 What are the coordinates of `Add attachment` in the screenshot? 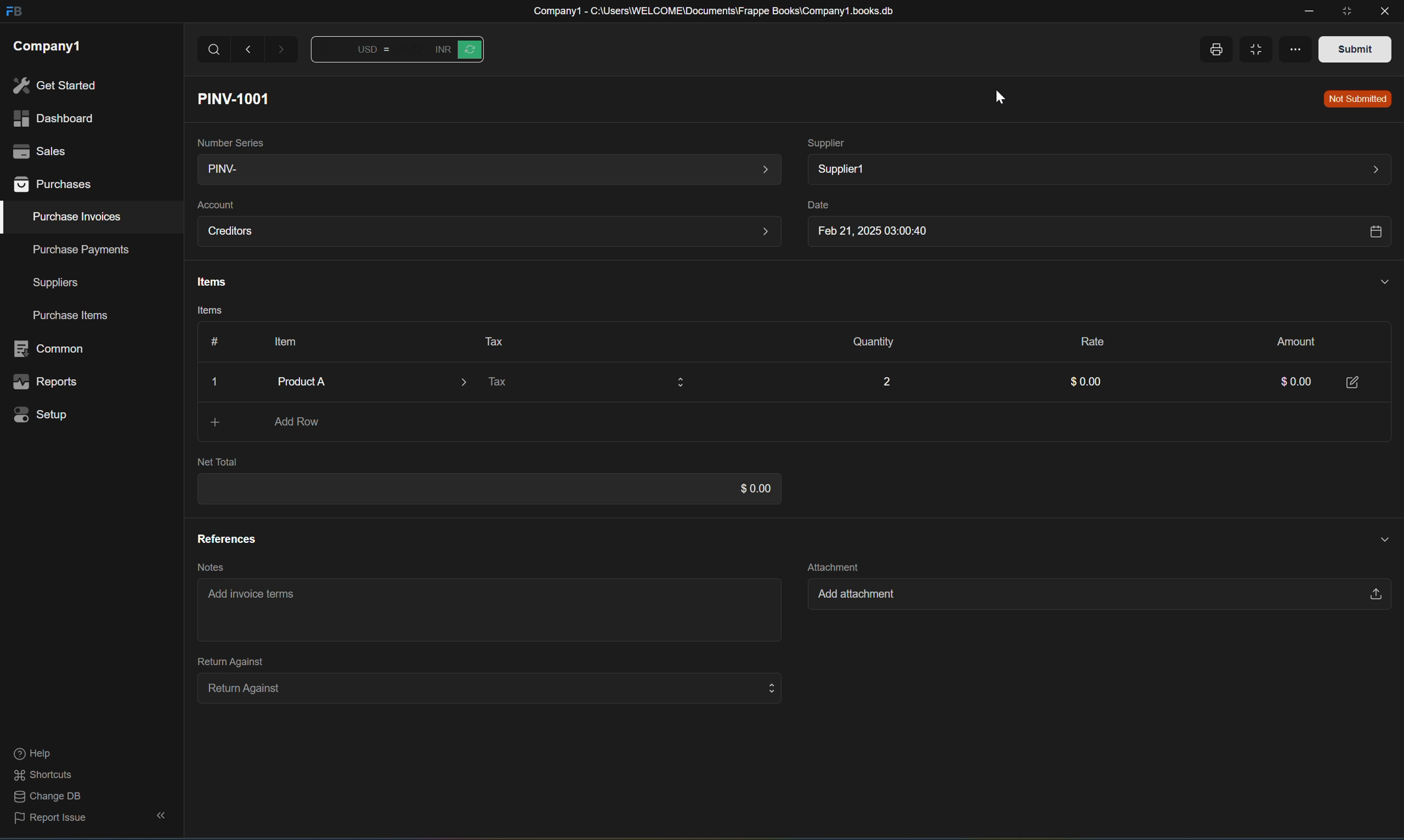 It's located at (1091, 597).